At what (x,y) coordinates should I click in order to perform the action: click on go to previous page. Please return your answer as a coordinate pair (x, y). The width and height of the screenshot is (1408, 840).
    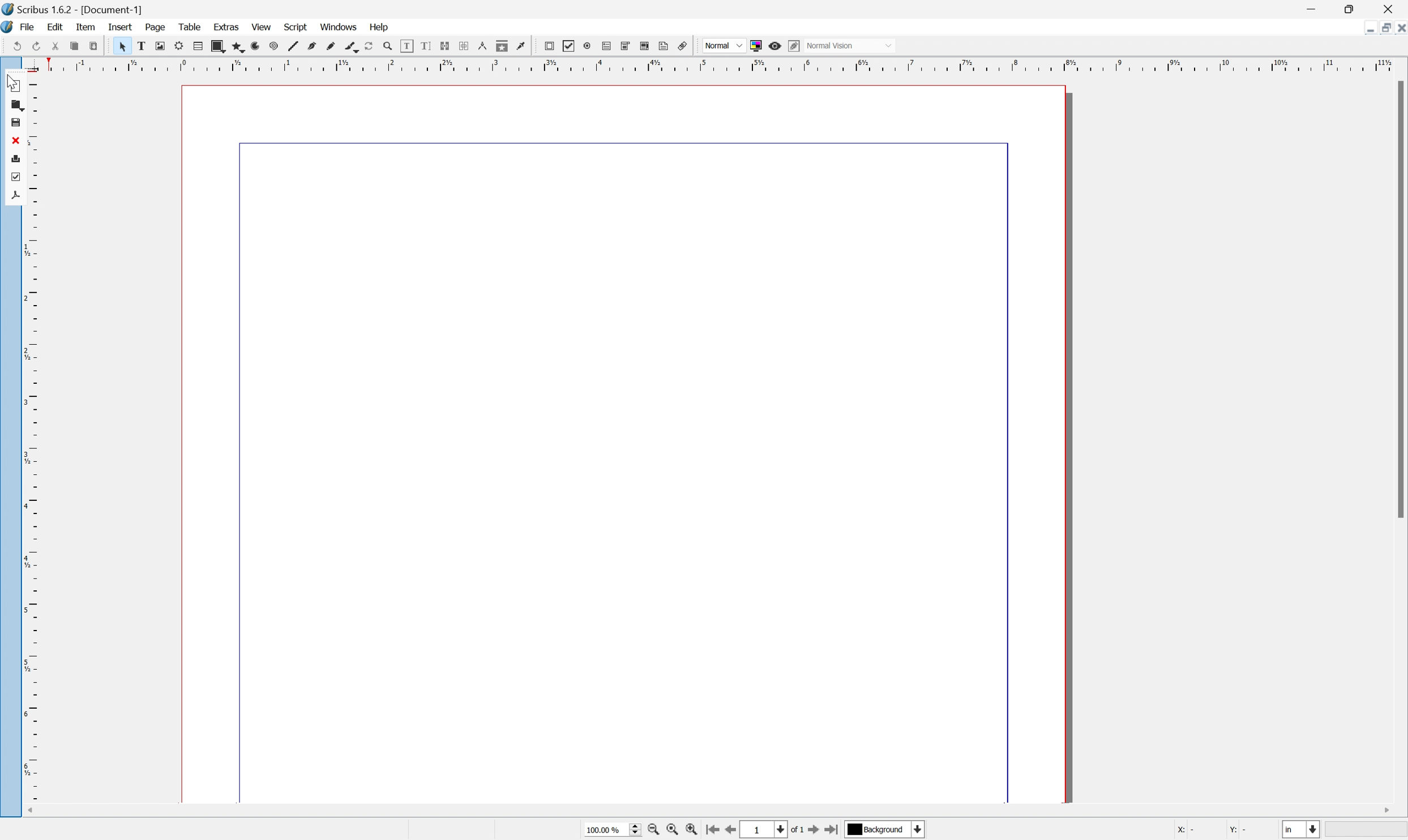
    Looking at the image, I should click on (728, 831).